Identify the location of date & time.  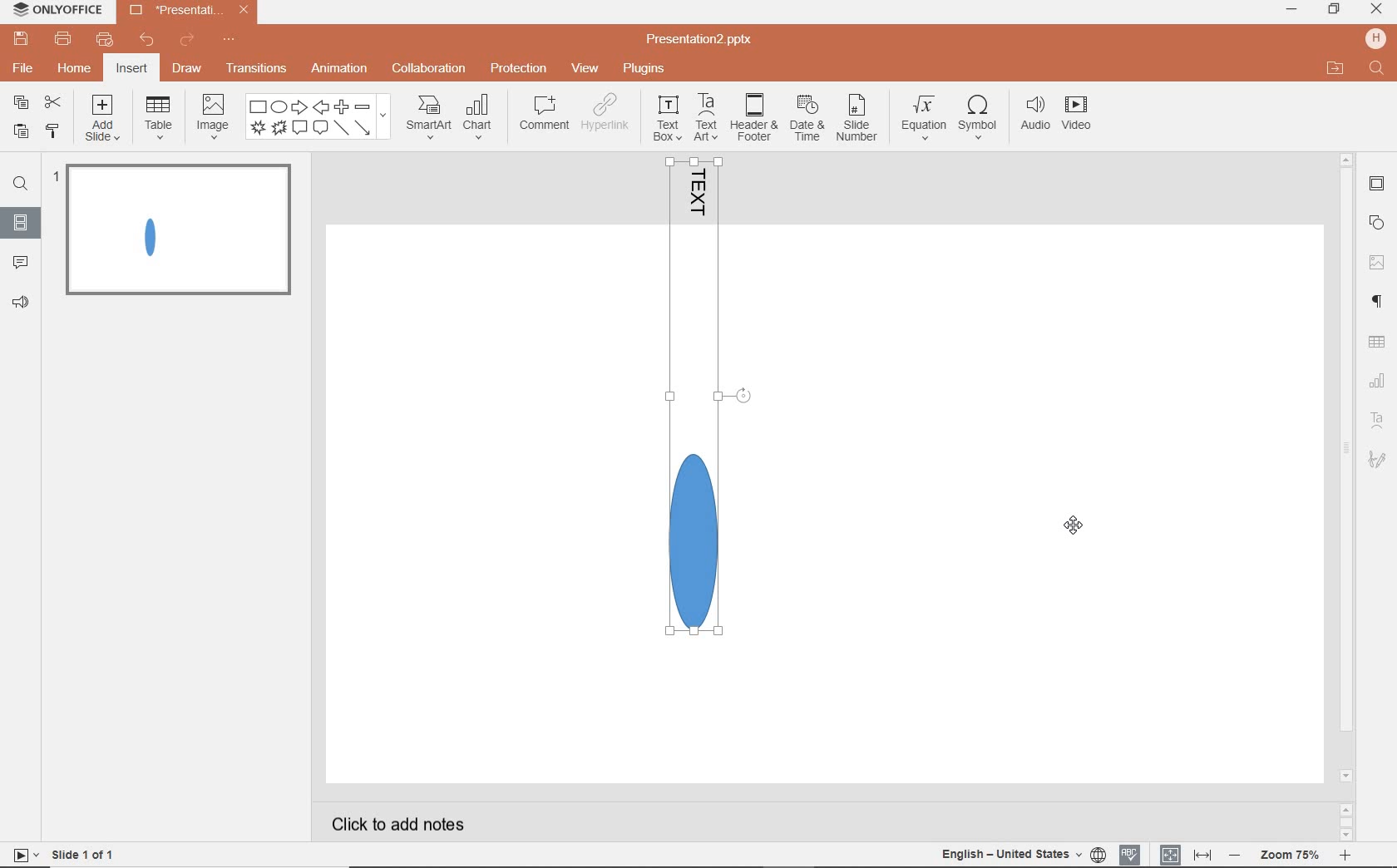
(805, 122).